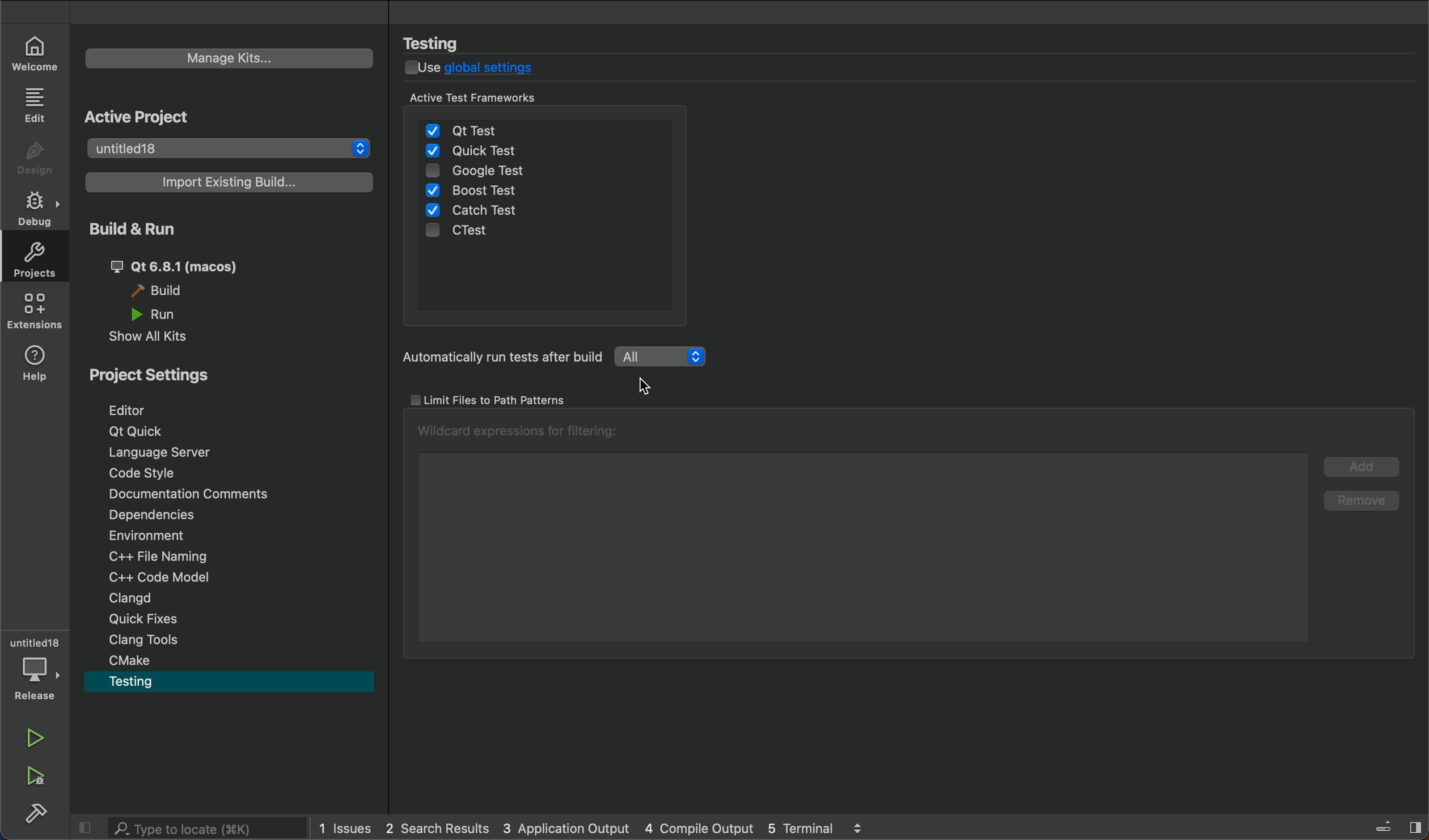 The image size is (1429, 840). Describe the element at coordinates (153, 575) in the screenshot. I see `c++ code model` at that location.